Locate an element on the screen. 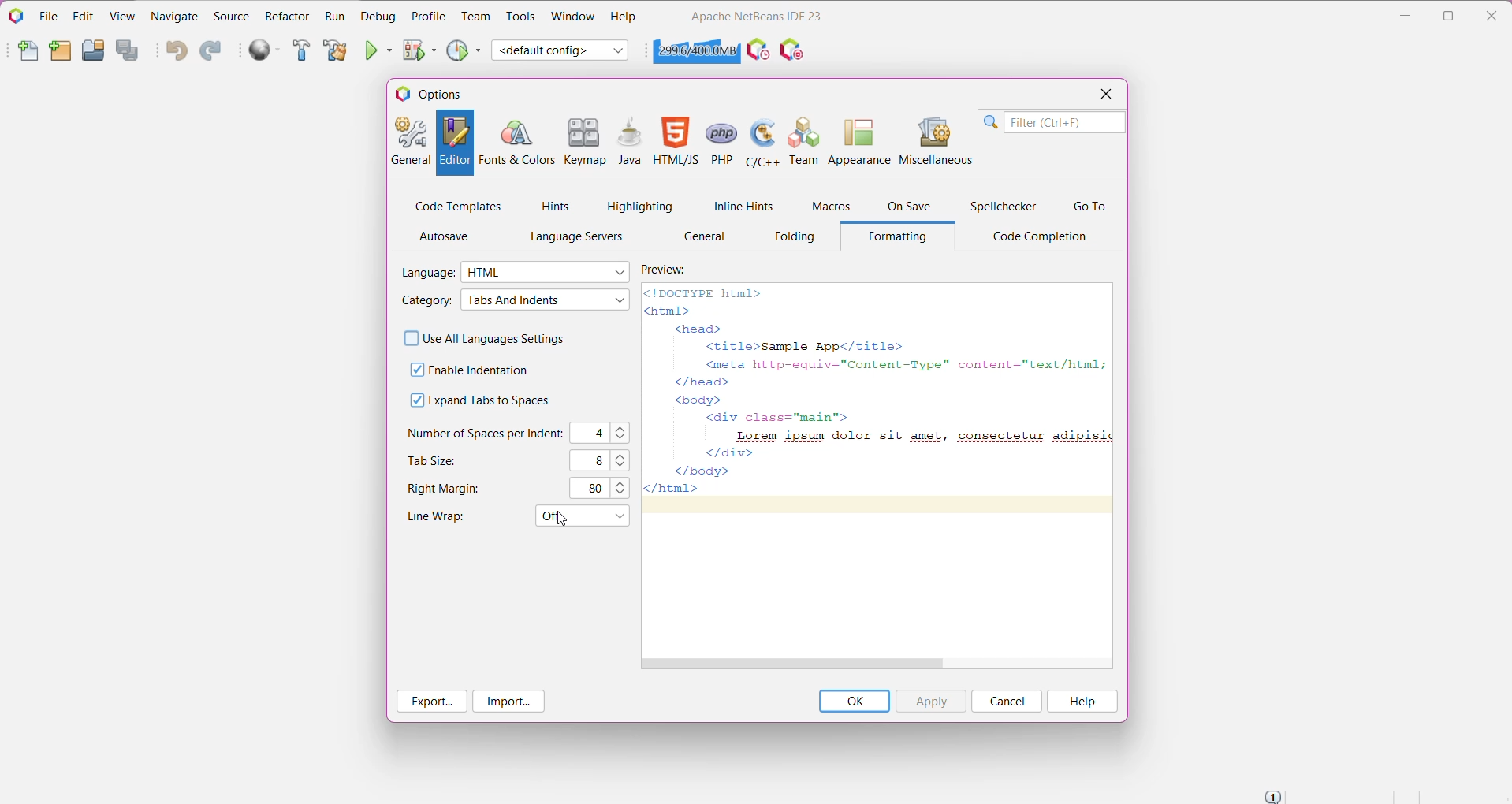 This screenshot has height=804, width=1512. Refactor is located at coordinates (287, 16).